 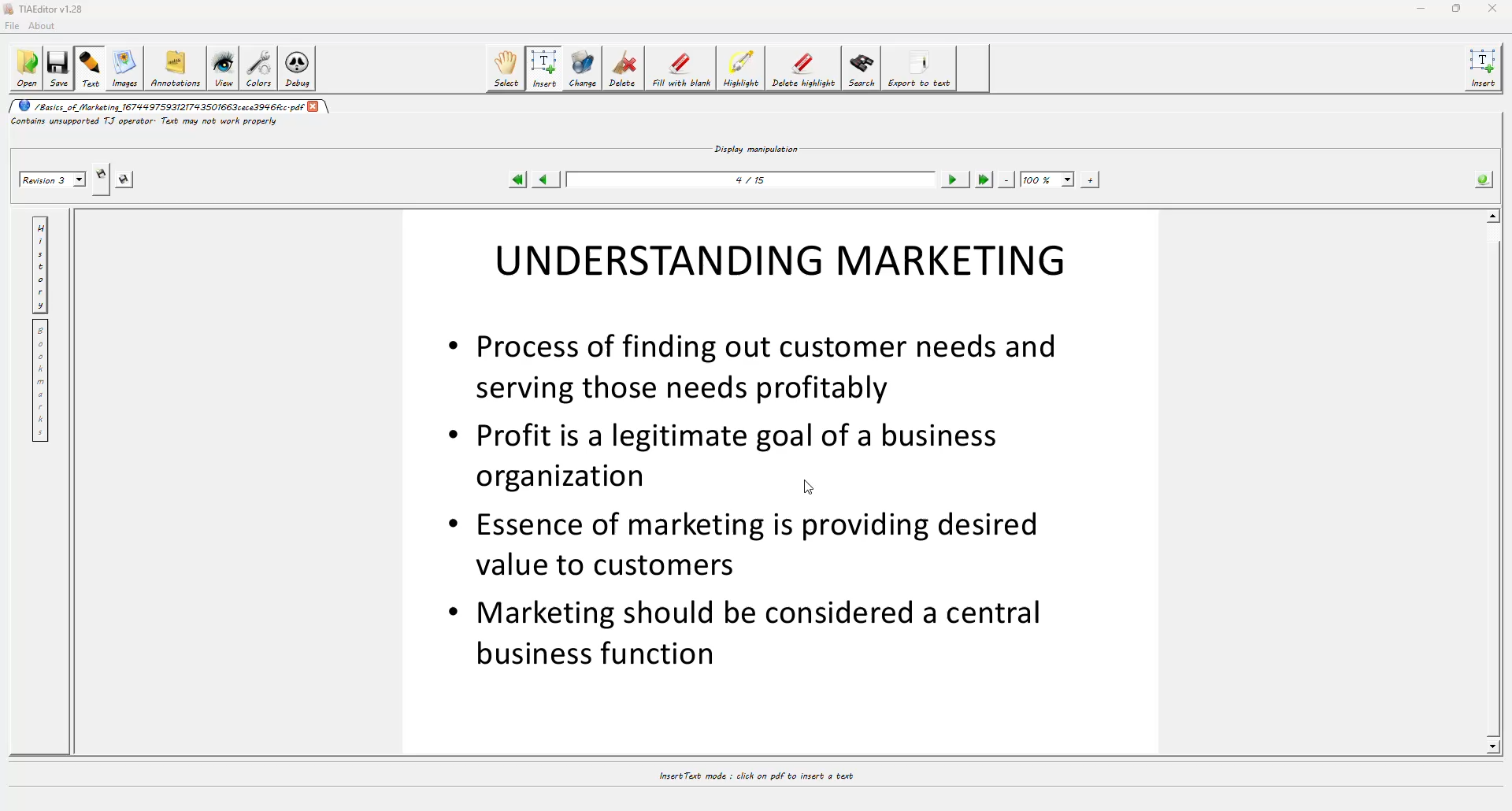 I want to click on minimize, so click(x=1418, y=9).